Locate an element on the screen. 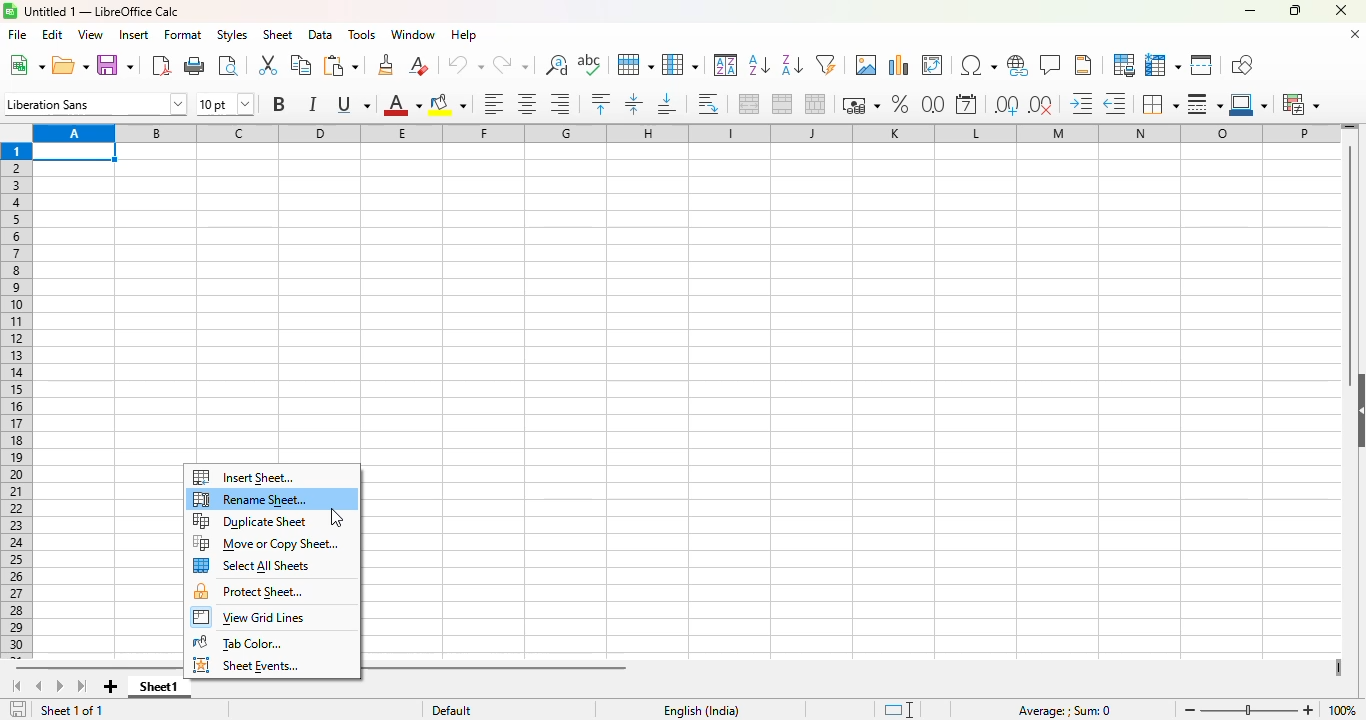  define print area is located at coordinates (1123, 64).